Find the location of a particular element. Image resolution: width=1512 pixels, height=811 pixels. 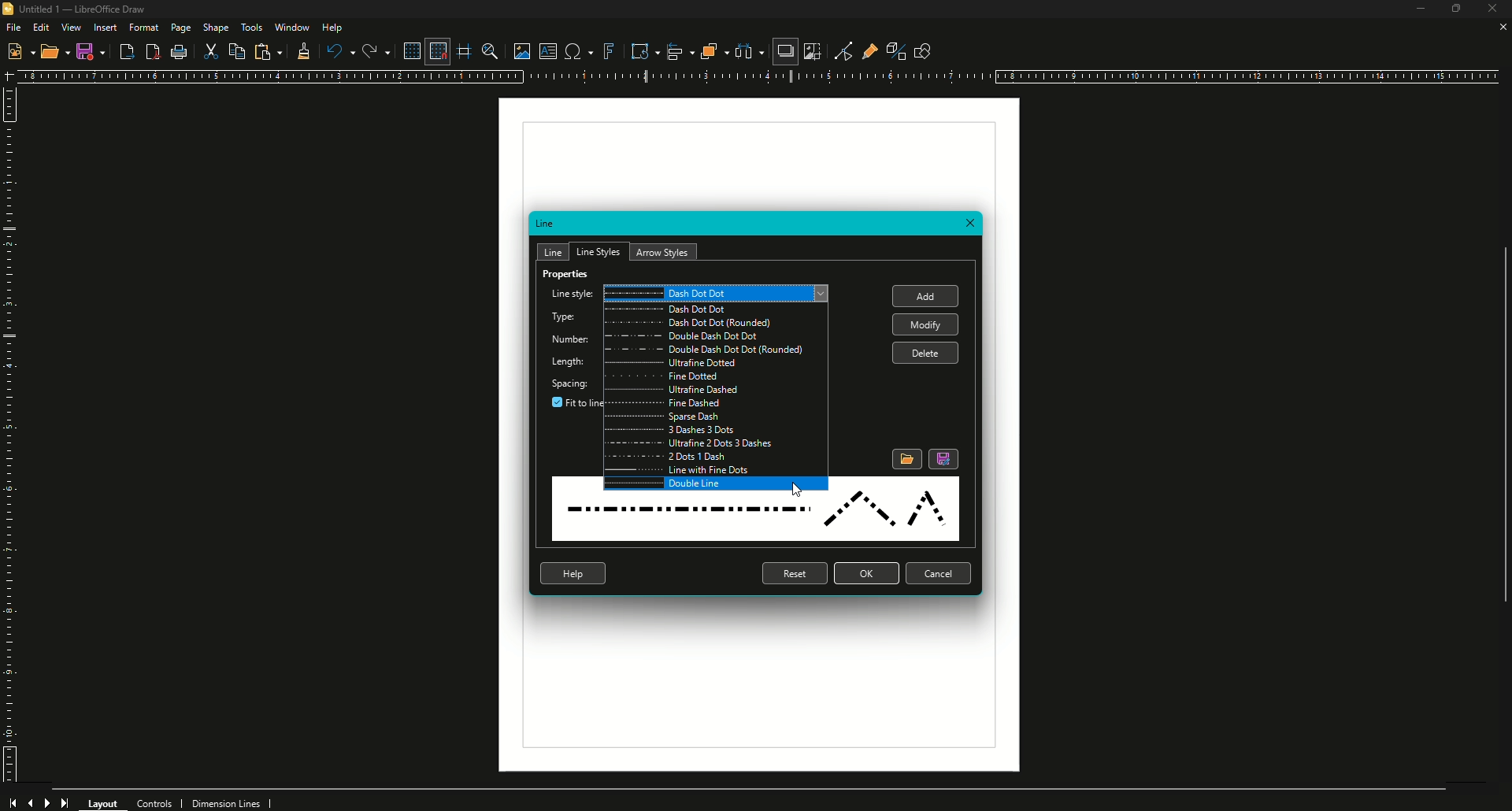

Paste is located at coordinates (268, 52).